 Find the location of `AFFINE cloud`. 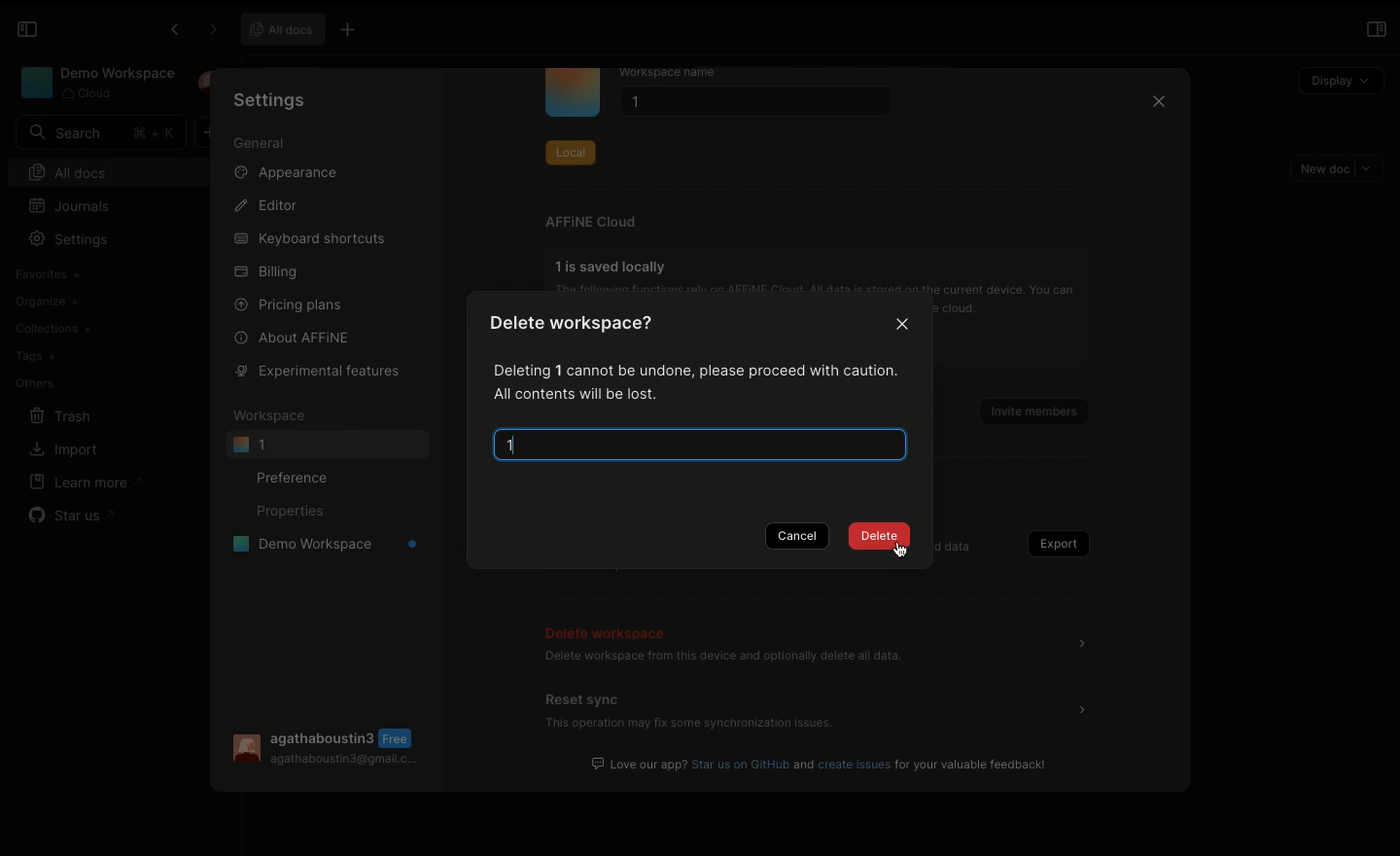

AFFINE cloud is located at coordinates (591, 222).